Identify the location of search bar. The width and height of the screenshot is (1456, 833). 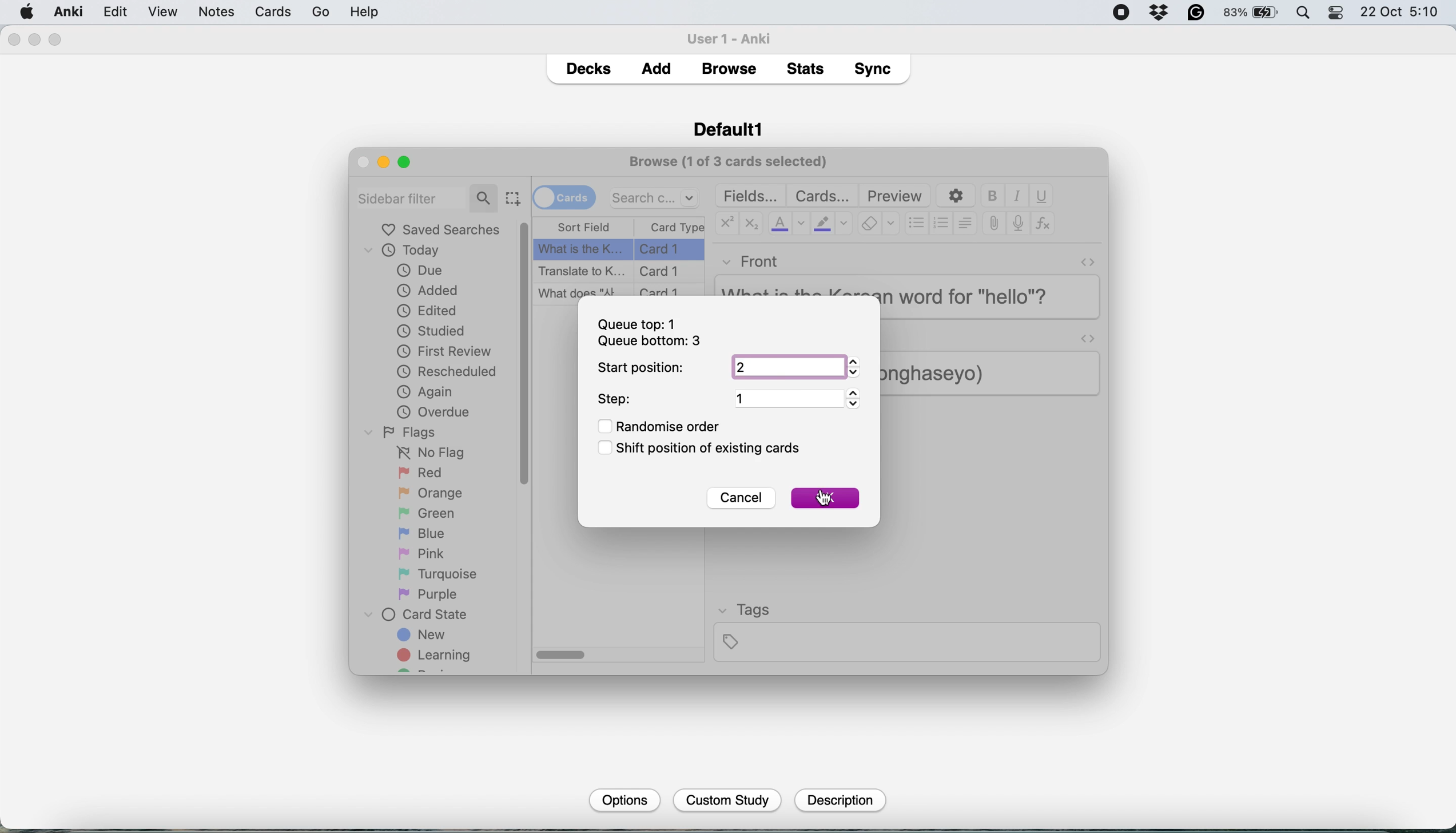
(655, 197).